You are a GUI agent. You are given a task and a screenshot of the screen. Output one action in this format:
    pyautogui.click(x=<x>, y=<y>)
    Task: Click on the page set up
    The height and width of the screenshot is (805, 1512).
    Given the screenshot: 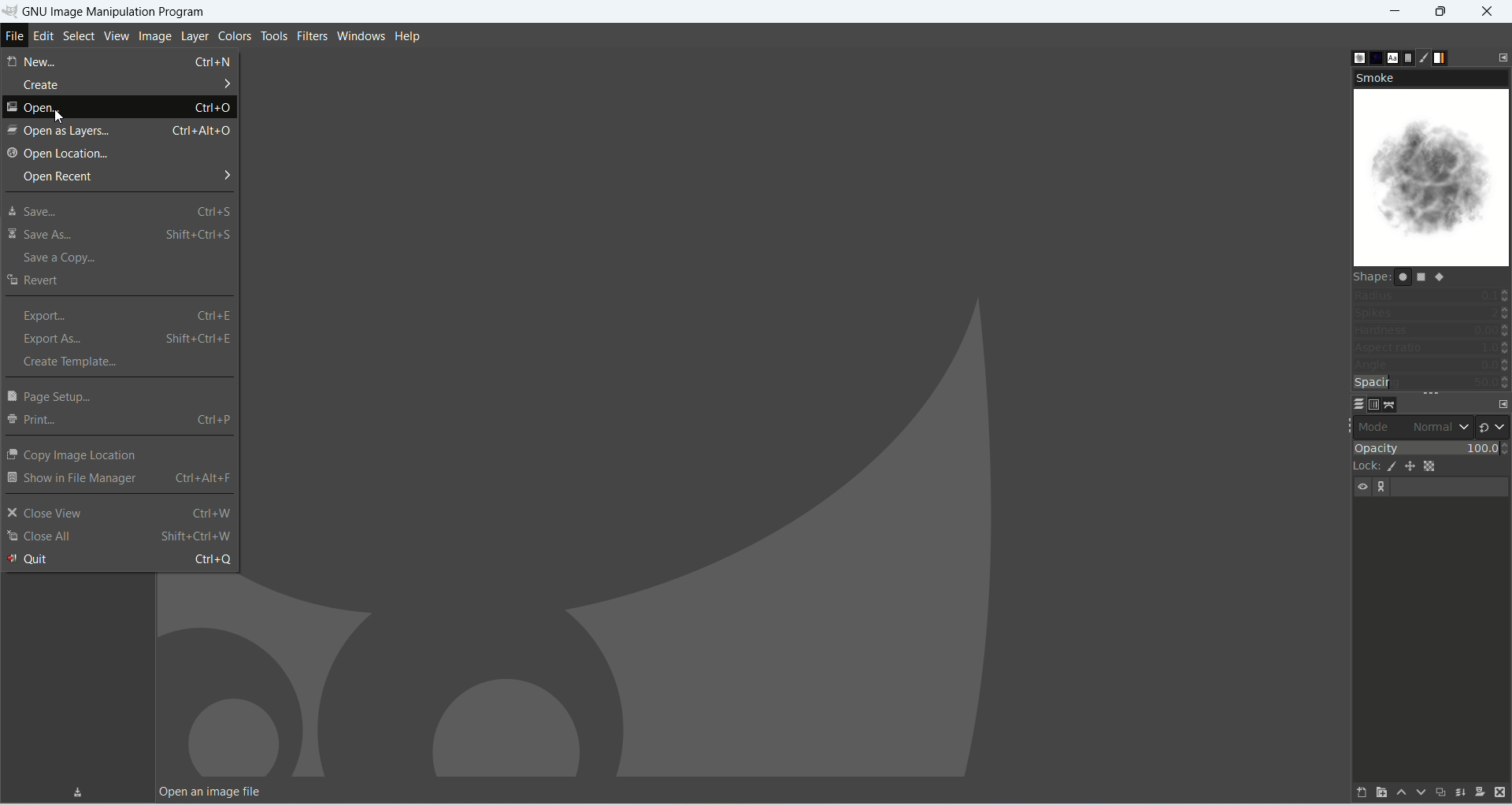 What is the action you would take?
    pyautogui.click(x=55, y=397)
    